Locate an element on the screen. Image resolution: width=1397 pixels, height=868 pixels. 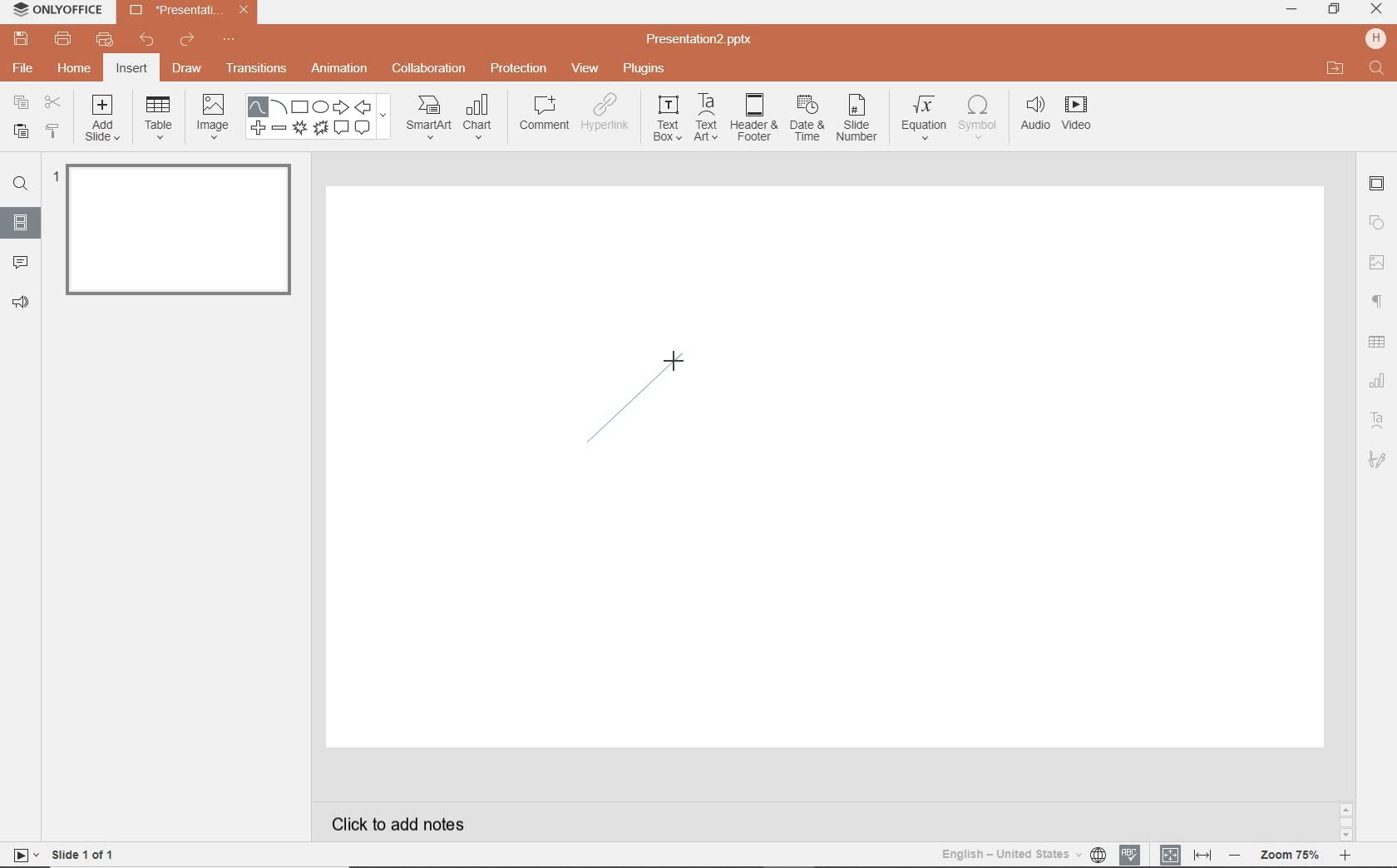
COMMENTS is located at coordinates (18, 261).